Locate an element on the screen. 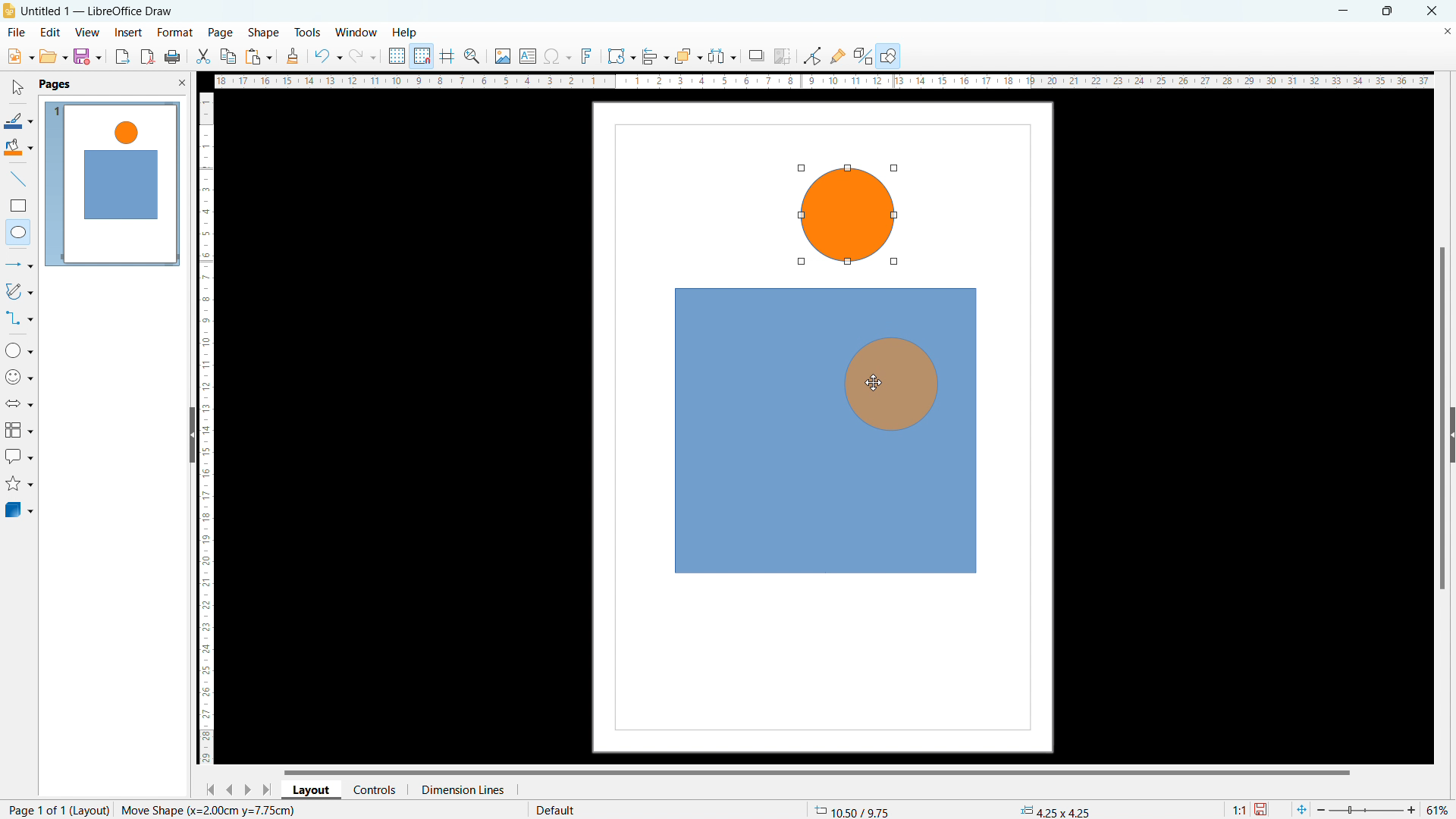 The image size is (1456, 819). select is located at coordinates (16, 88).